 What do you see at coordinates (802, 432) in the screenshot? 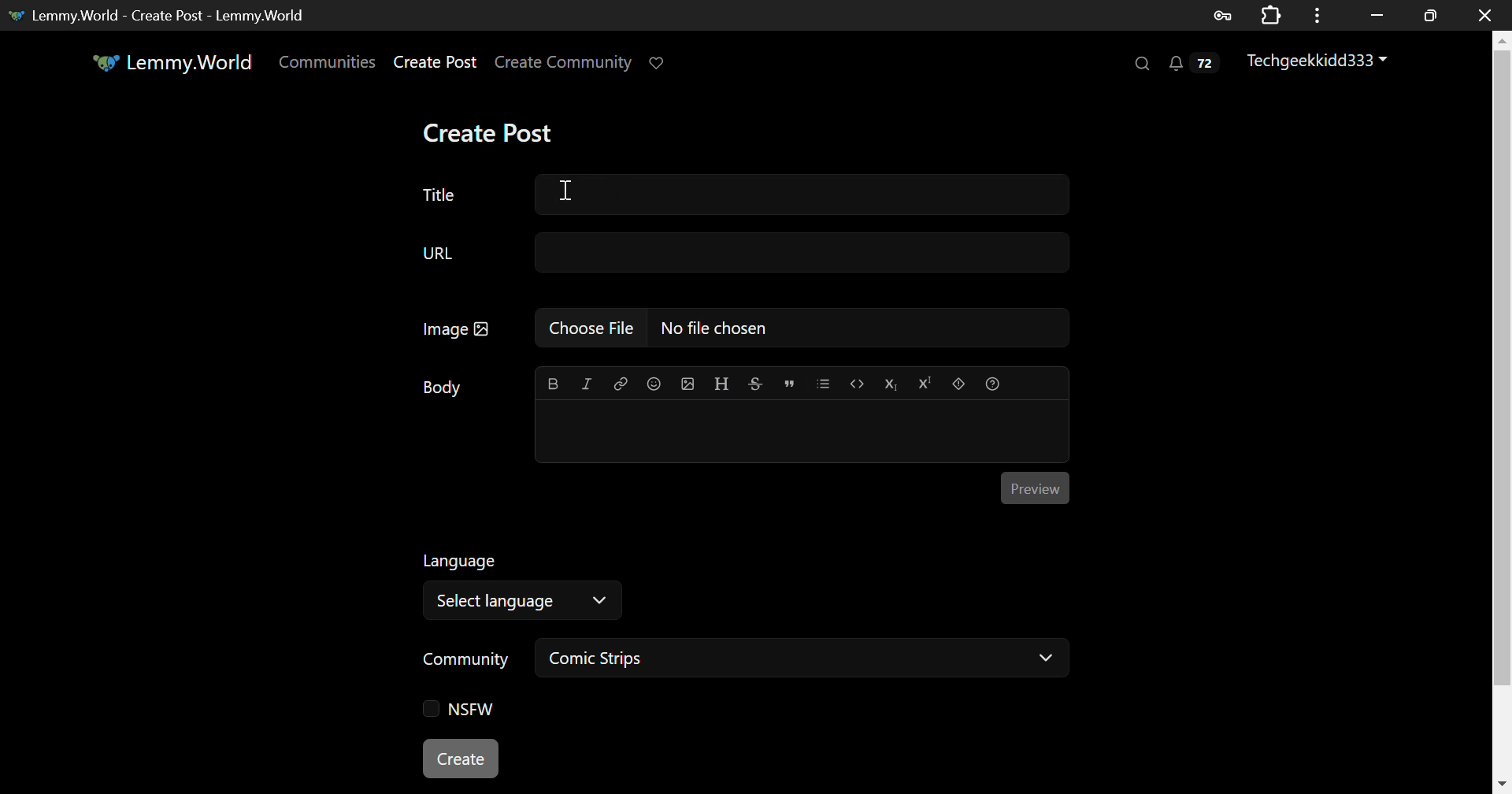
I see `Post Body Field` at bounding box center [802, 432].